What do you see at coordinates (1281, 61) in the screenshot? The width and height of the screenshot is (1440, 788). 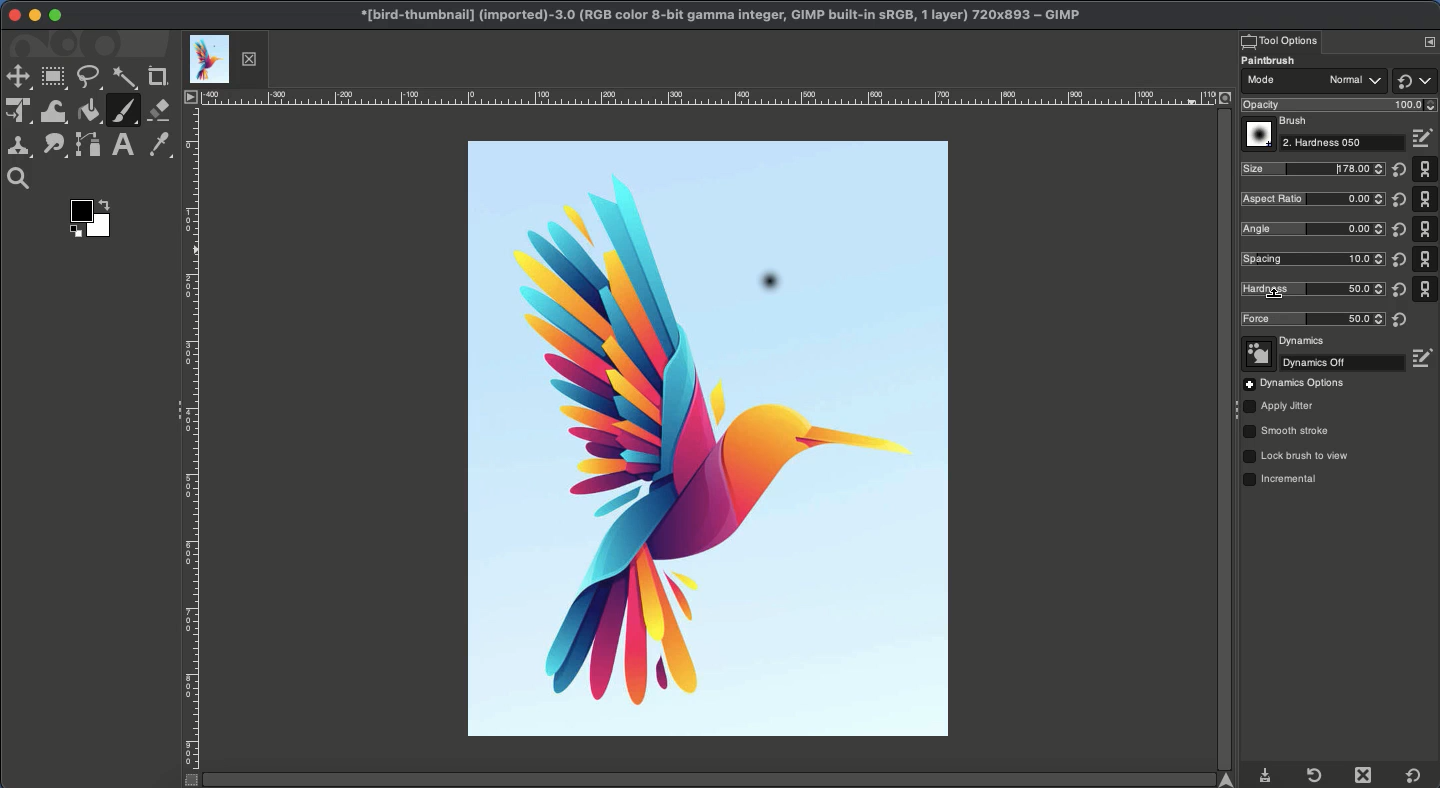 I see `Paintbrush` at bounding box center [1281, 61].